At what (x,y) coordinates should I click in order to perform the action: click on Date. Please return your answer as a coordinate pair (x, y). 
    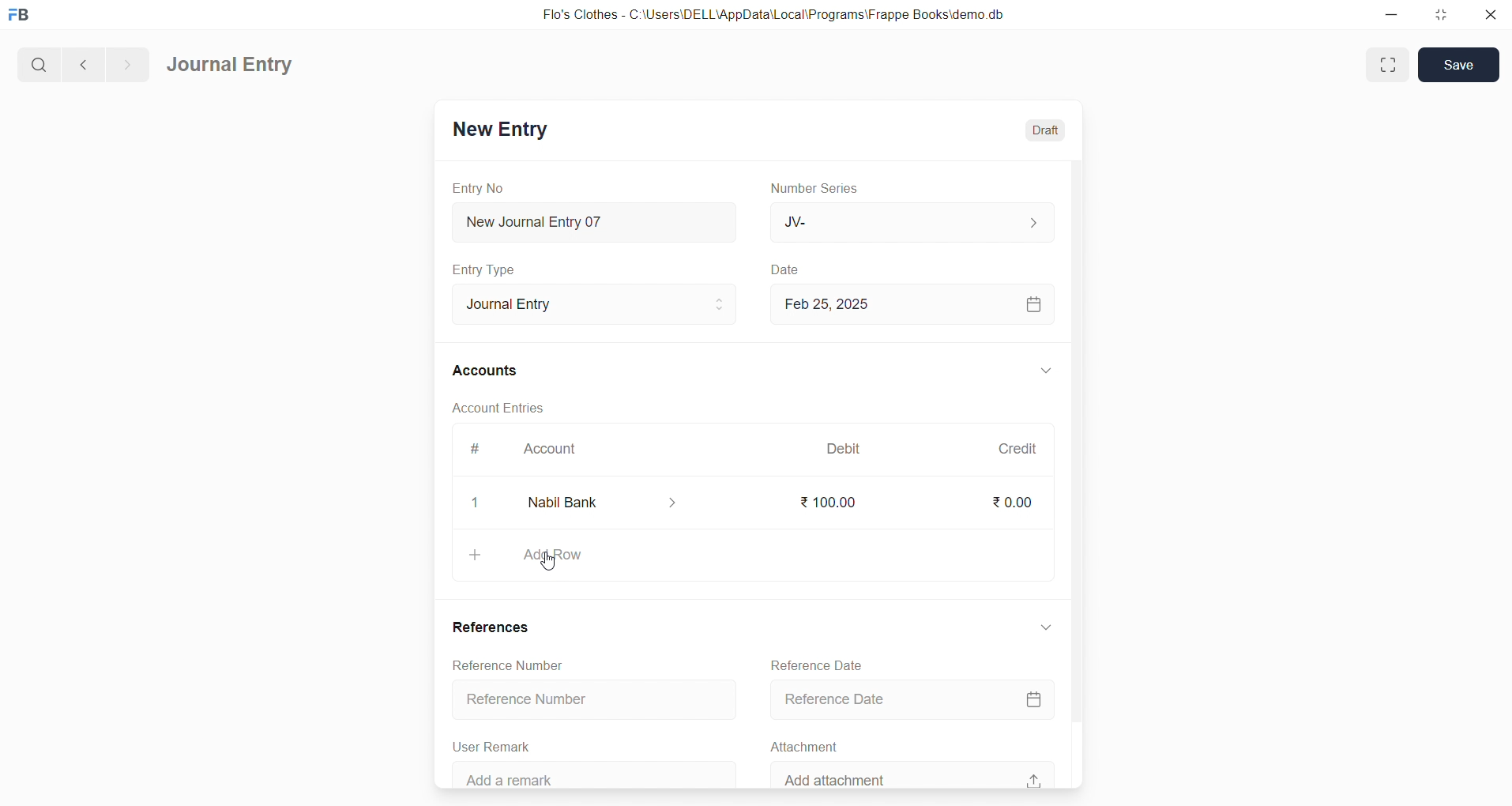
    Looking at the image, I should click on (785, 269).